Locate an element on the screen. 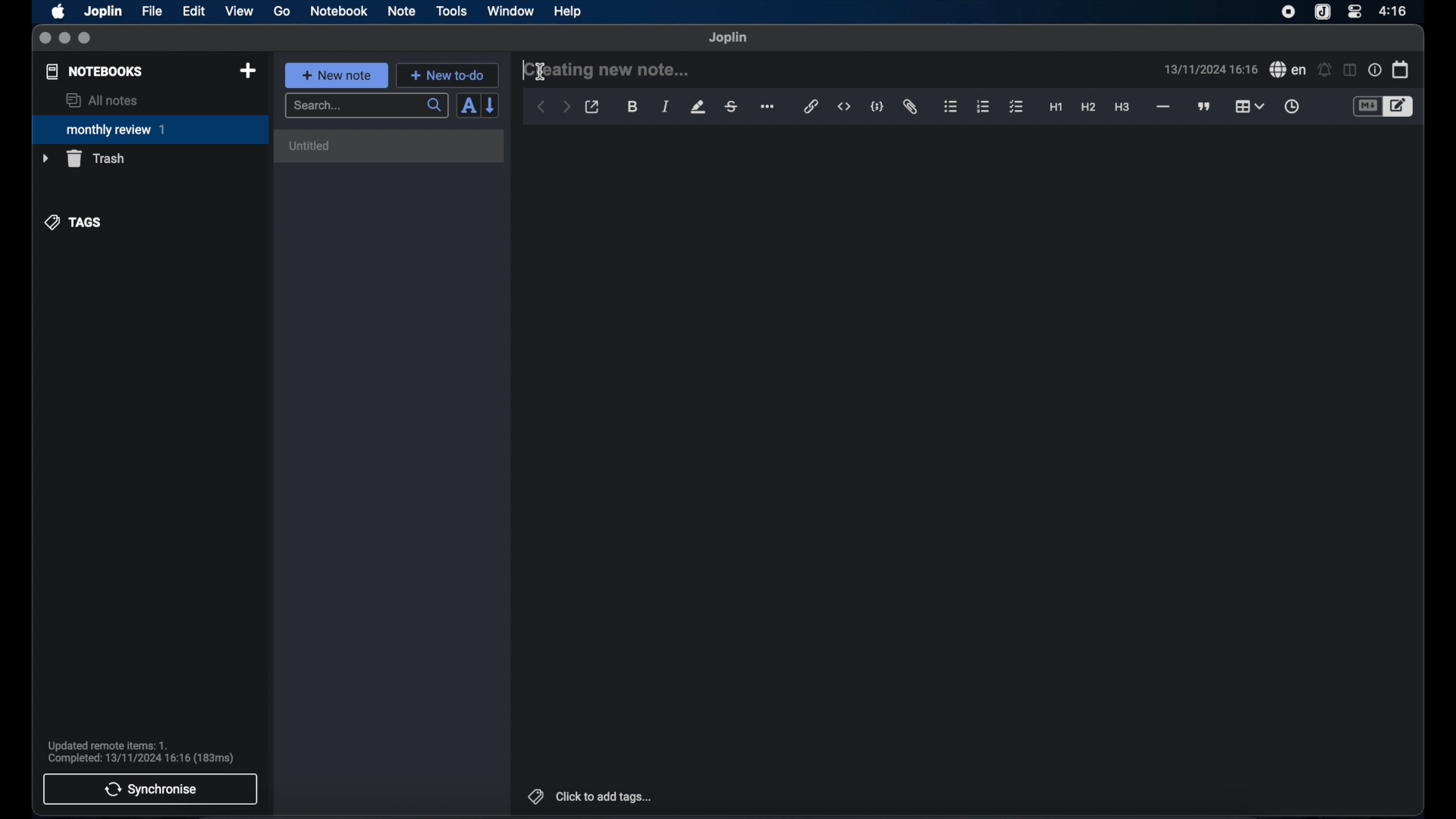 This screenshot has width=1456, height=819. window is located at coordinates (511, 11).